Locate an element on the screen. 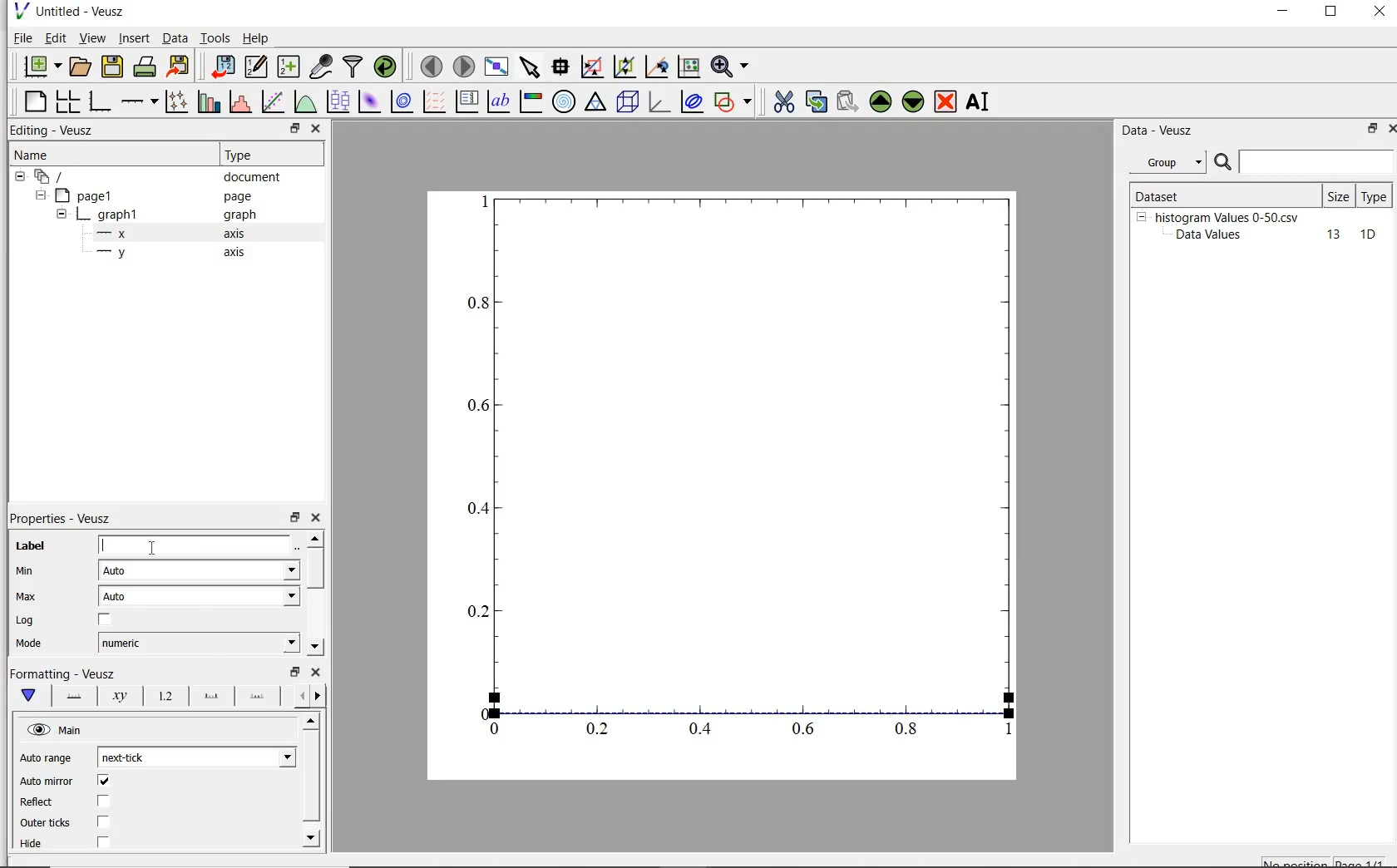 Image resolution: width=1397 pixels, height=868 pixels. minimize is located at coordinates (1284, 13).